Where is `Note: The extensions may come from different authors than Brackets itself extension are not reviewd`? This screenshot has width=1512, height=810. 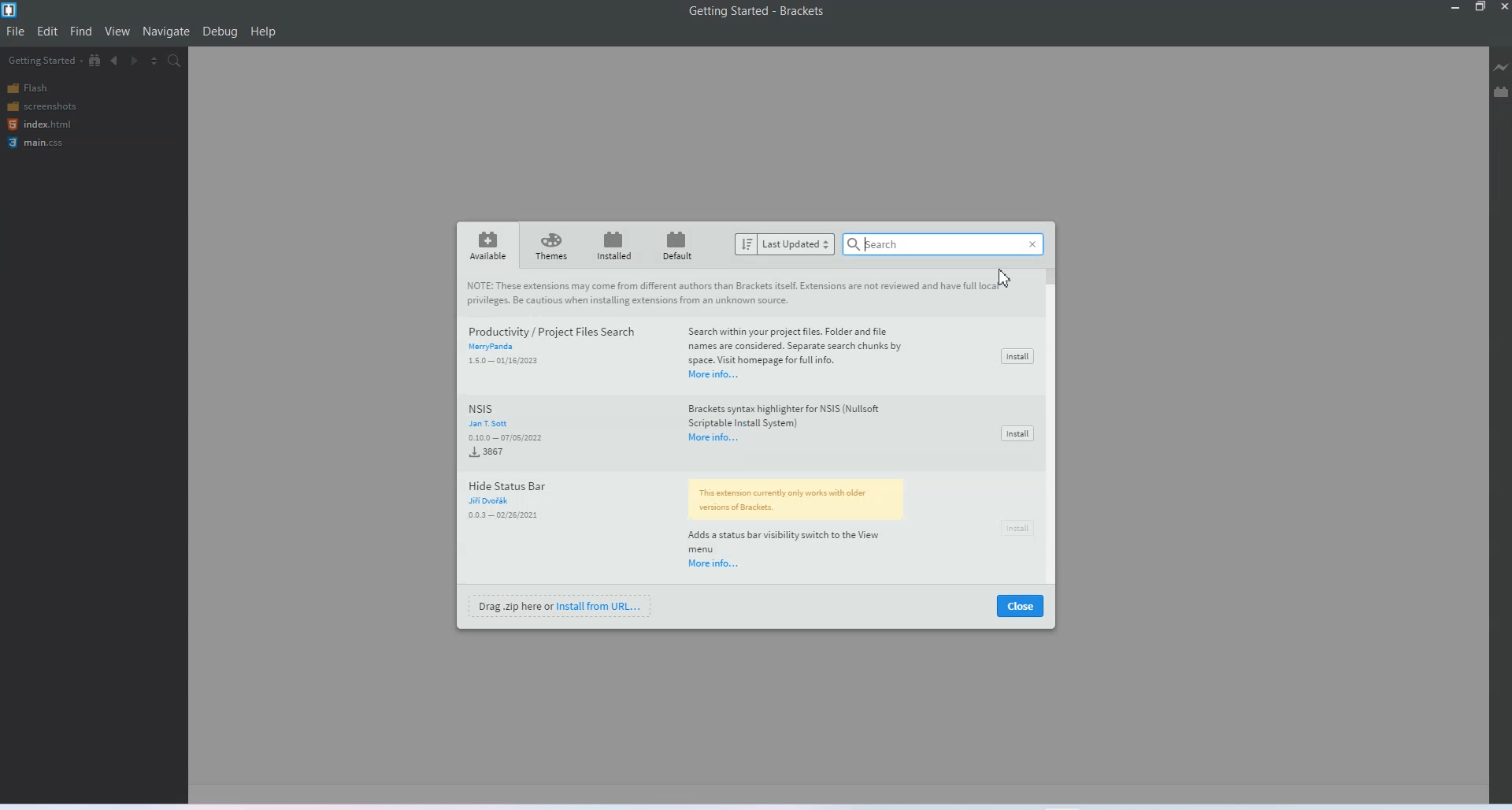 Note: The extensions may come from different authors than Brackets itself extension are not reviewd is located at coordinates (739, 295).